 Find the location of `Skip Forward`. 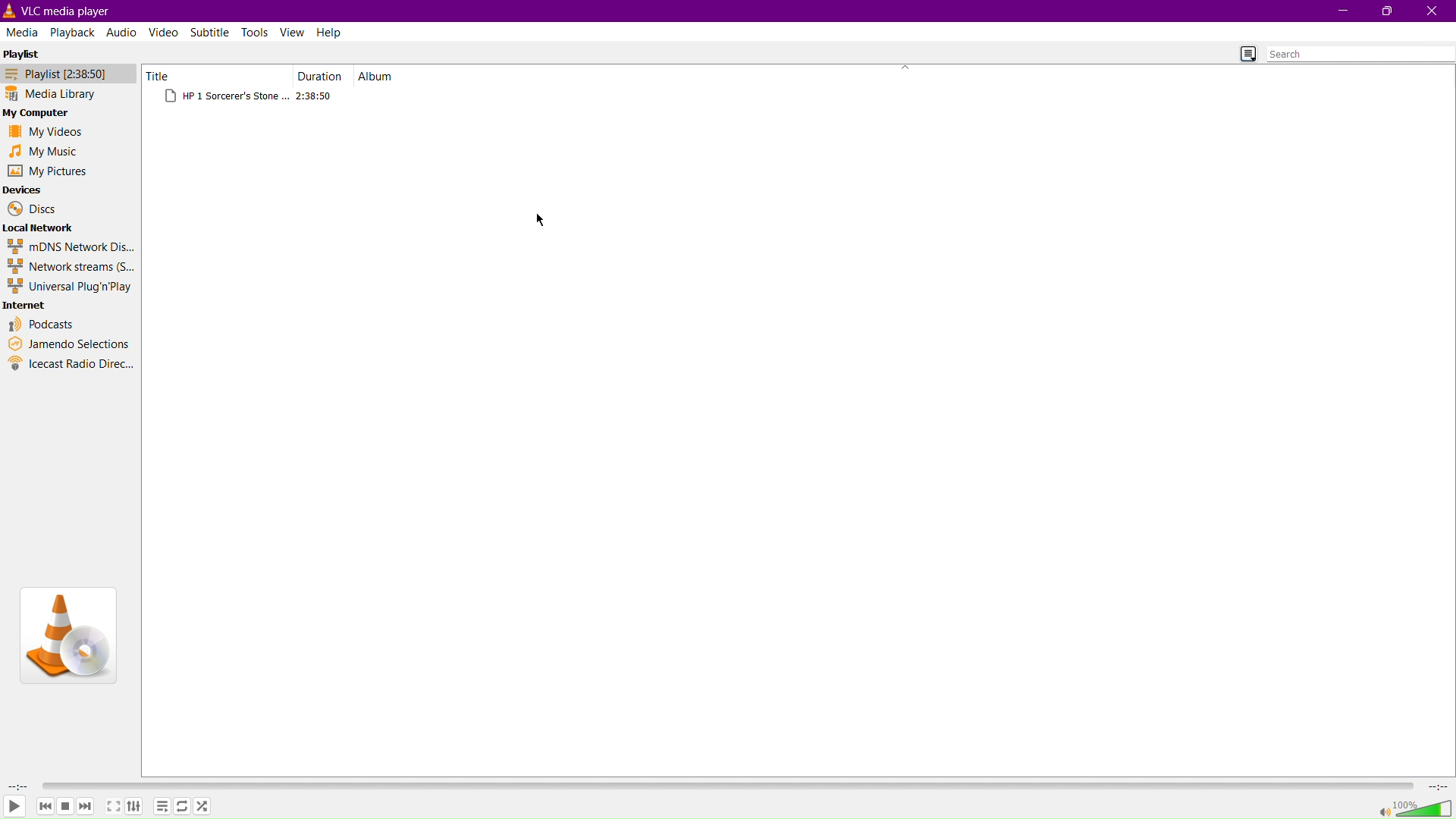

Skip Forward is located at coordinates (86, 806).